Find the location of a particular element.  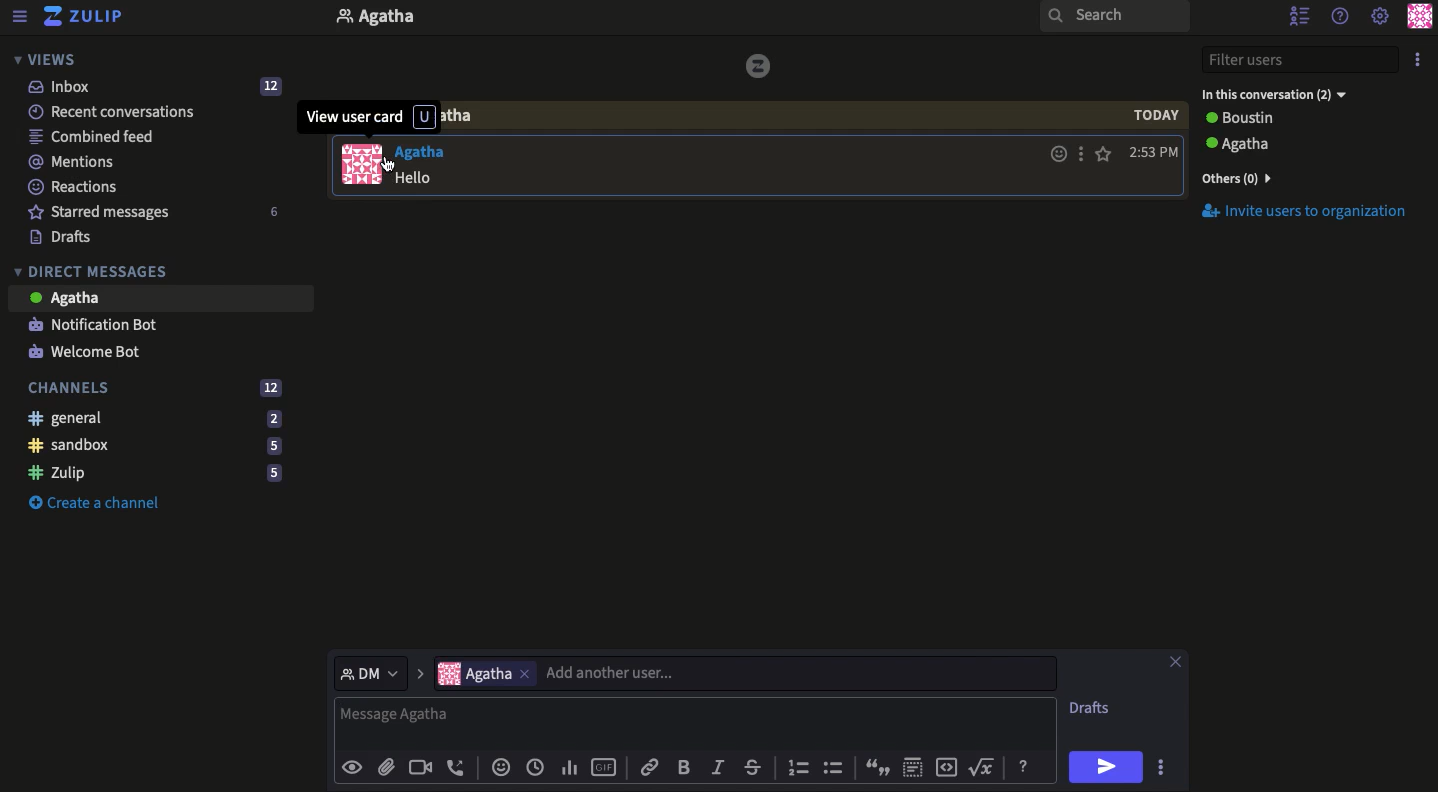

User is located at coordinates (427, 150).